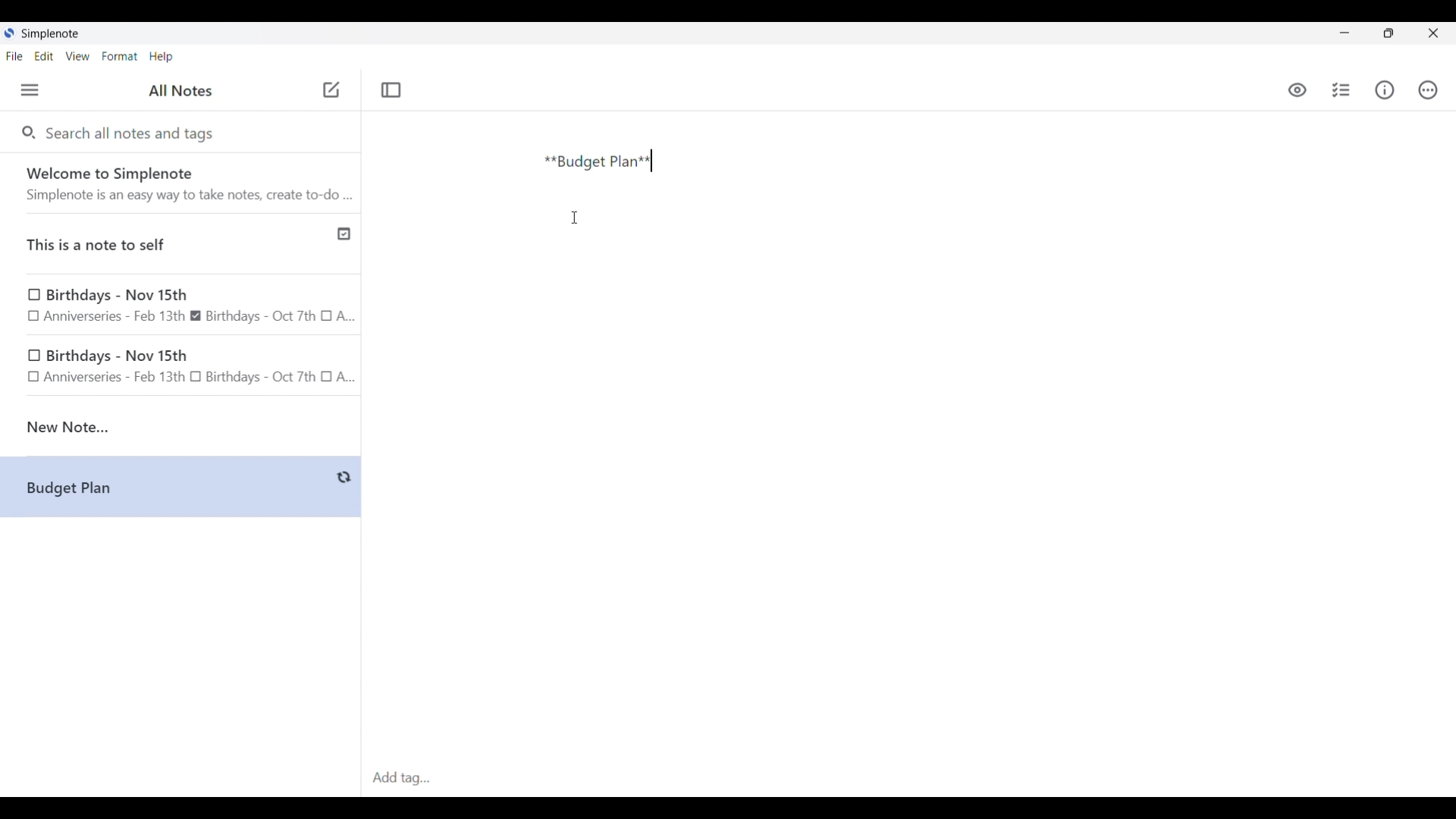 Image resolution: width=1456 pixels, height=819 pixels. What do you see at coordinates (1345, 33) in the screenshot?
I see `Minimize` at bounding box center [1345, 33].